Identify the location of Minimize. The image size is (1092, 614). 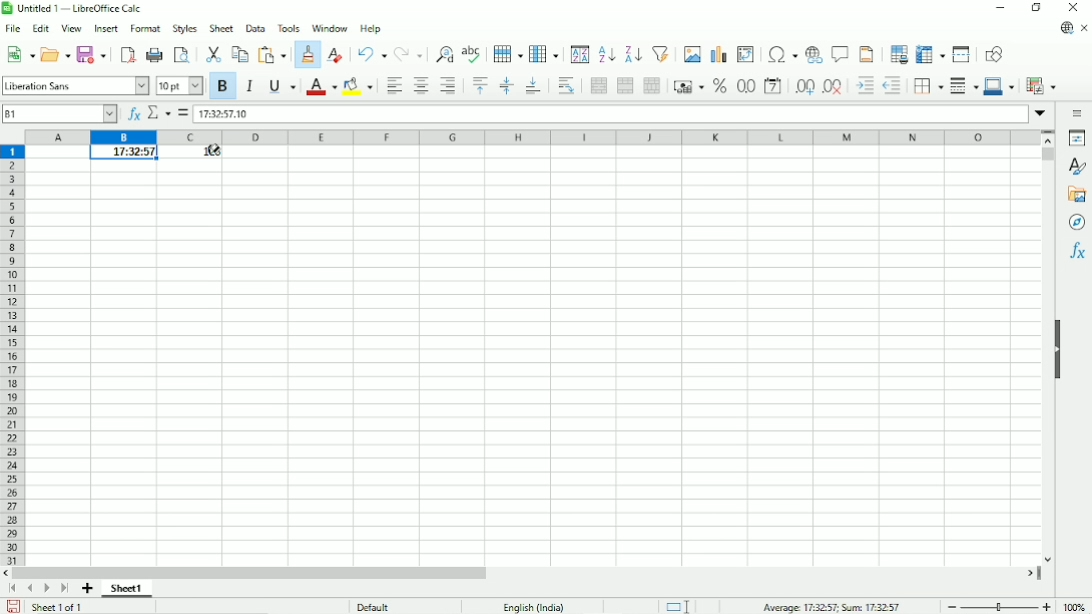
(1000, 7).